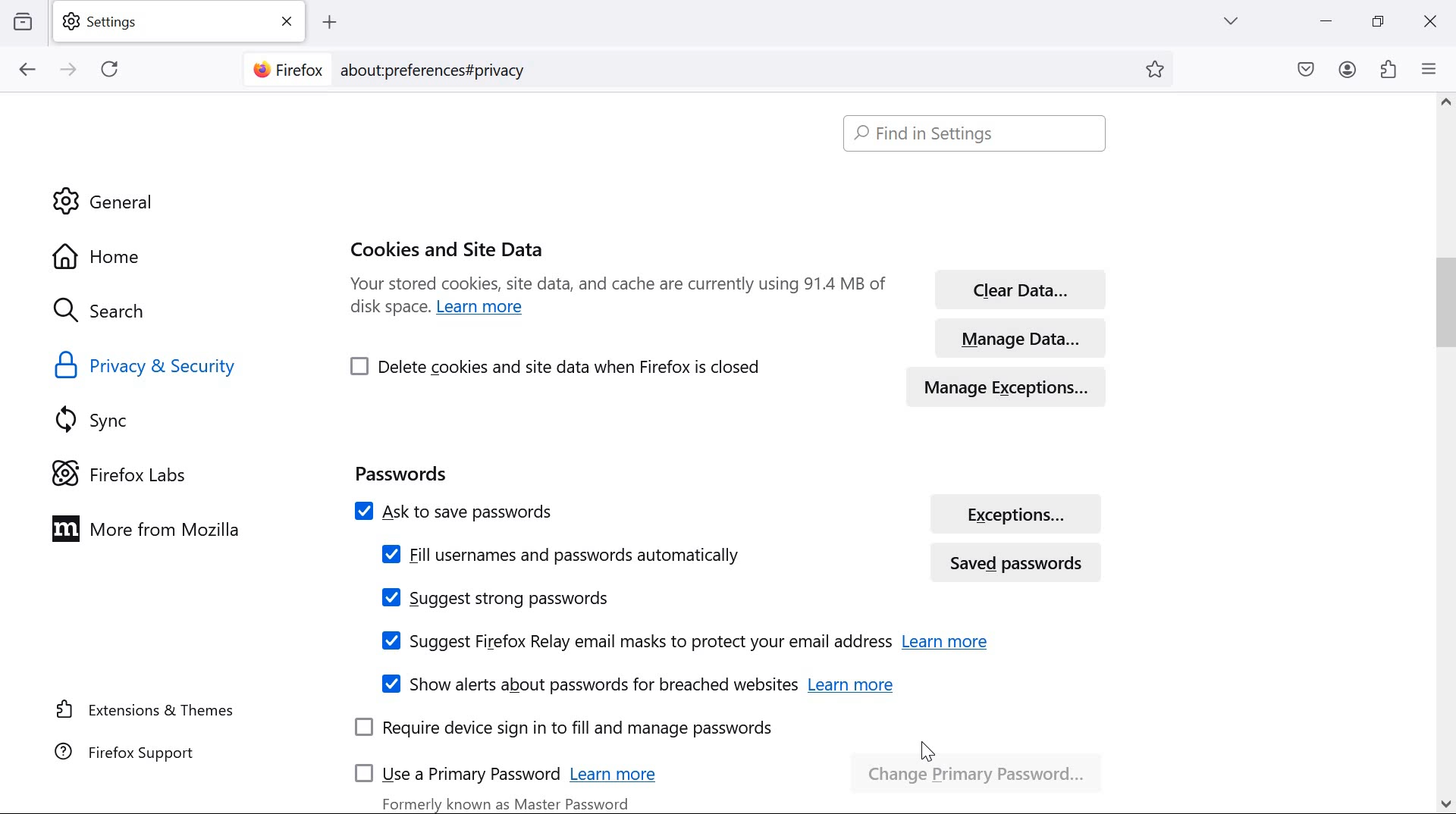 The image size is (1456, 814). I want to click on Firefox support, so click(128, 751).